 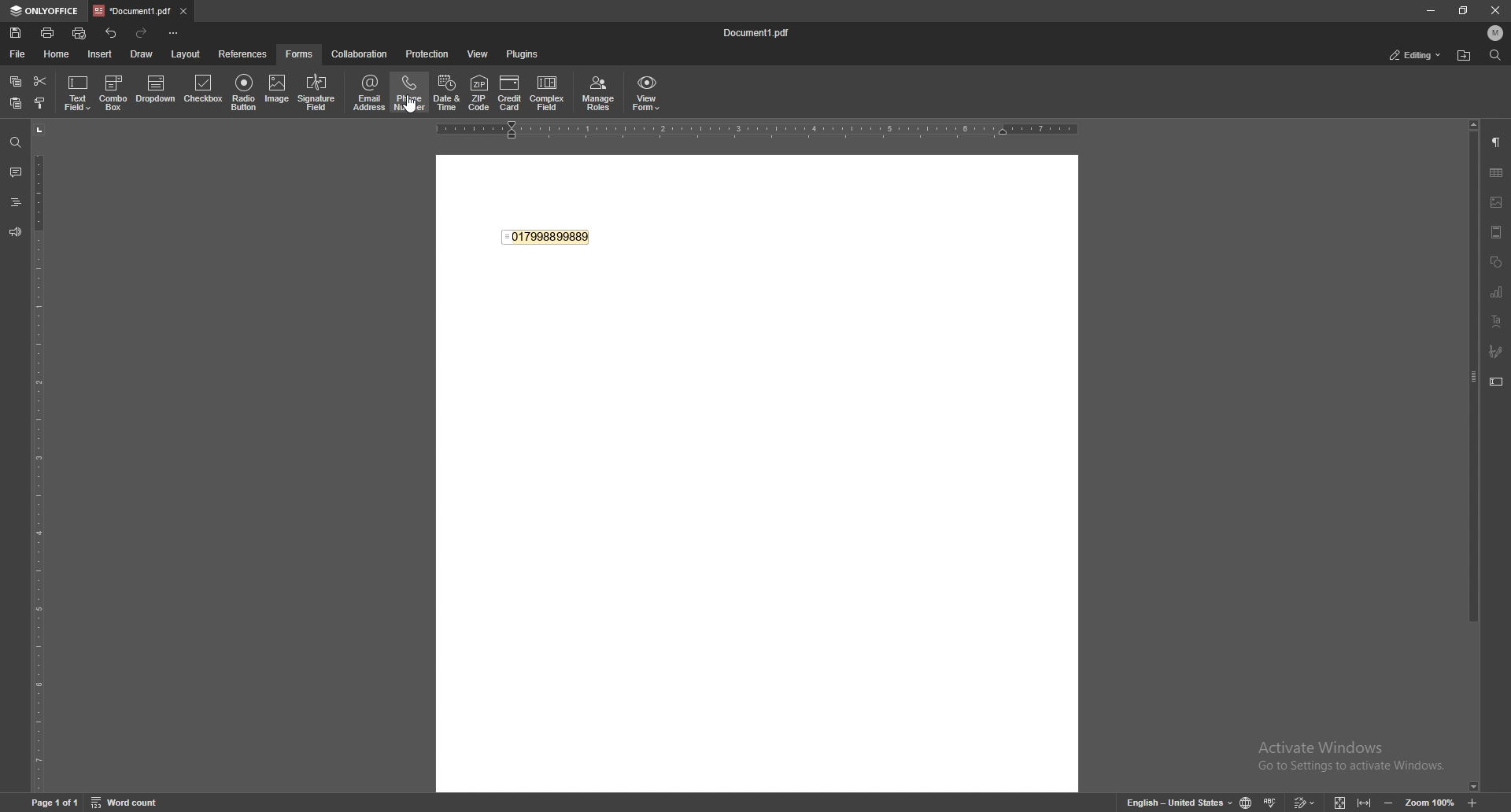 What do you see at coordinates (524, 54) in the screenshot?
I see `plugins` at bounding box center [524, 54].